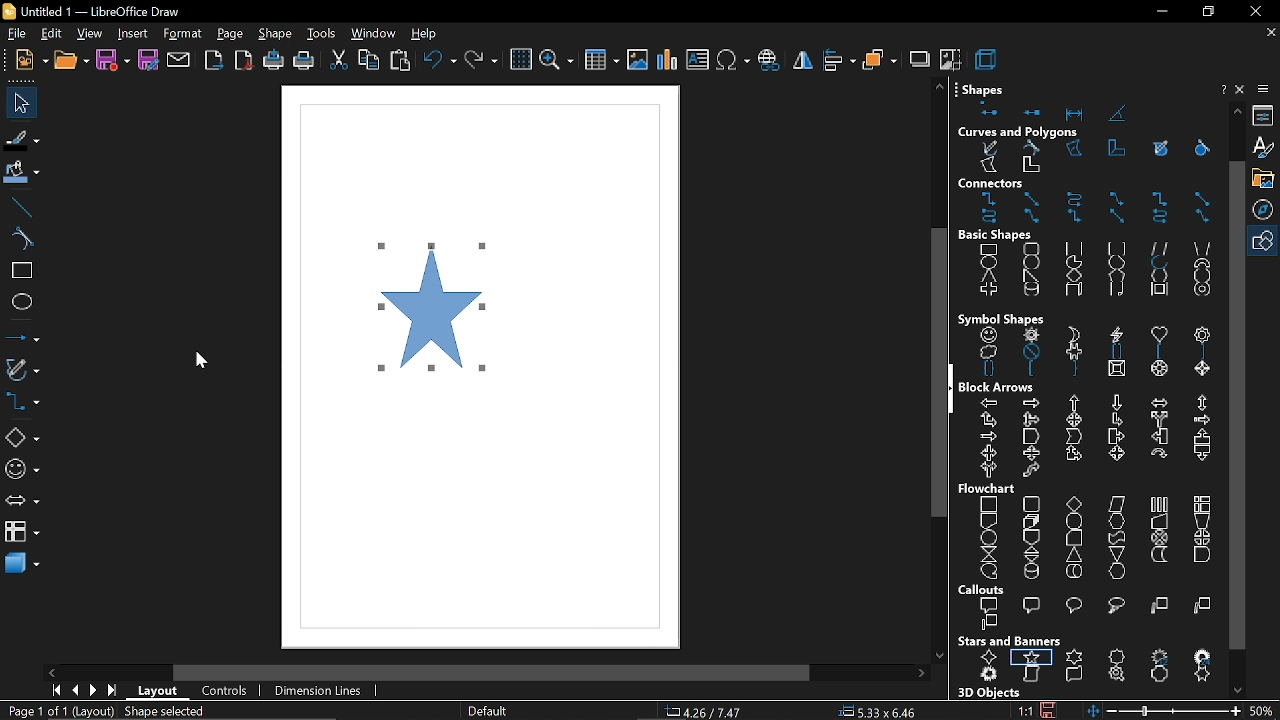 The width and height of the screenshot is (1280, 720). Describe the element at coordinates (94, 691) in the screenshot. I see `next page` at that location.